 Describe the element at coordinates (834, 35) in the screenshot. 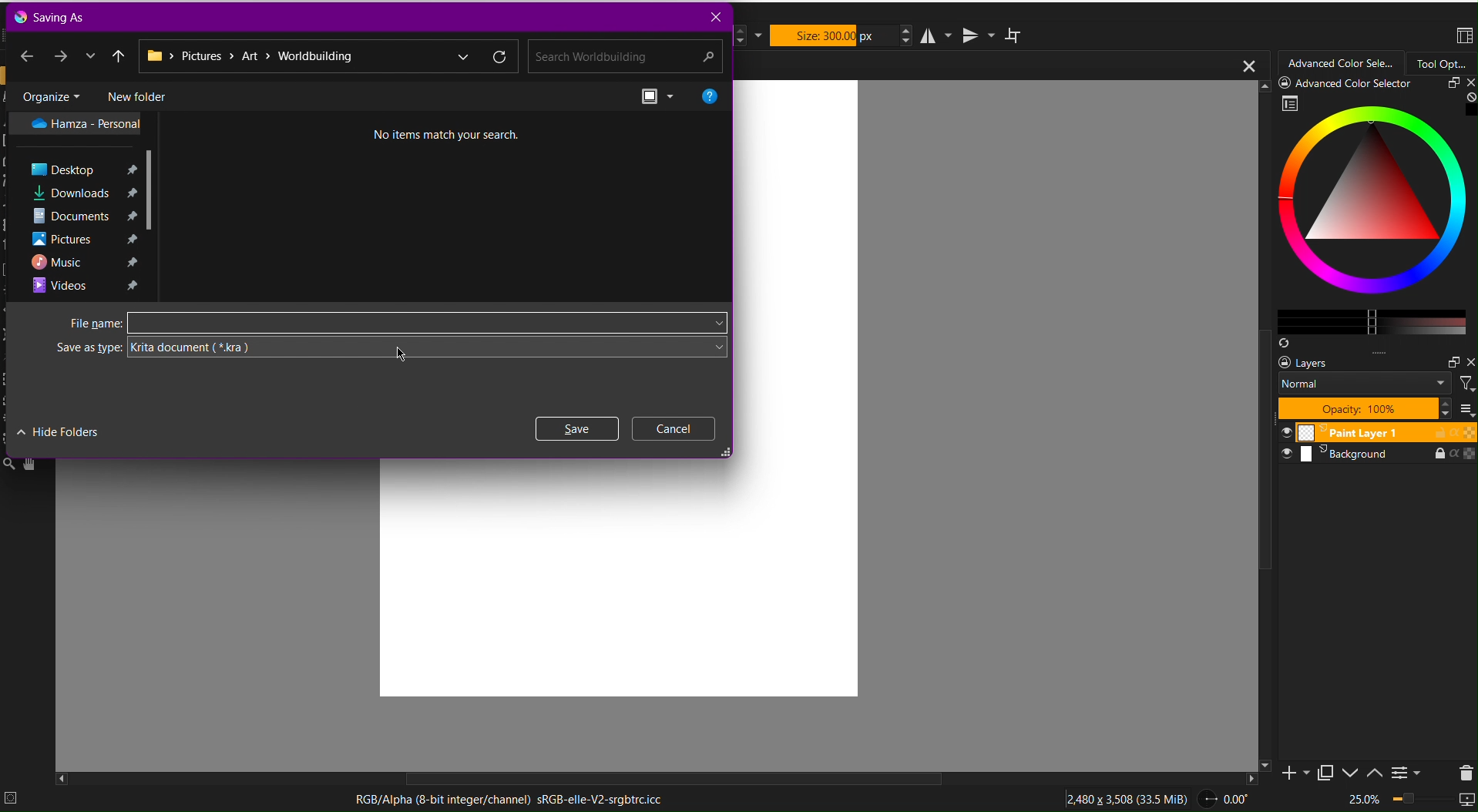

I see `Size` at that location.